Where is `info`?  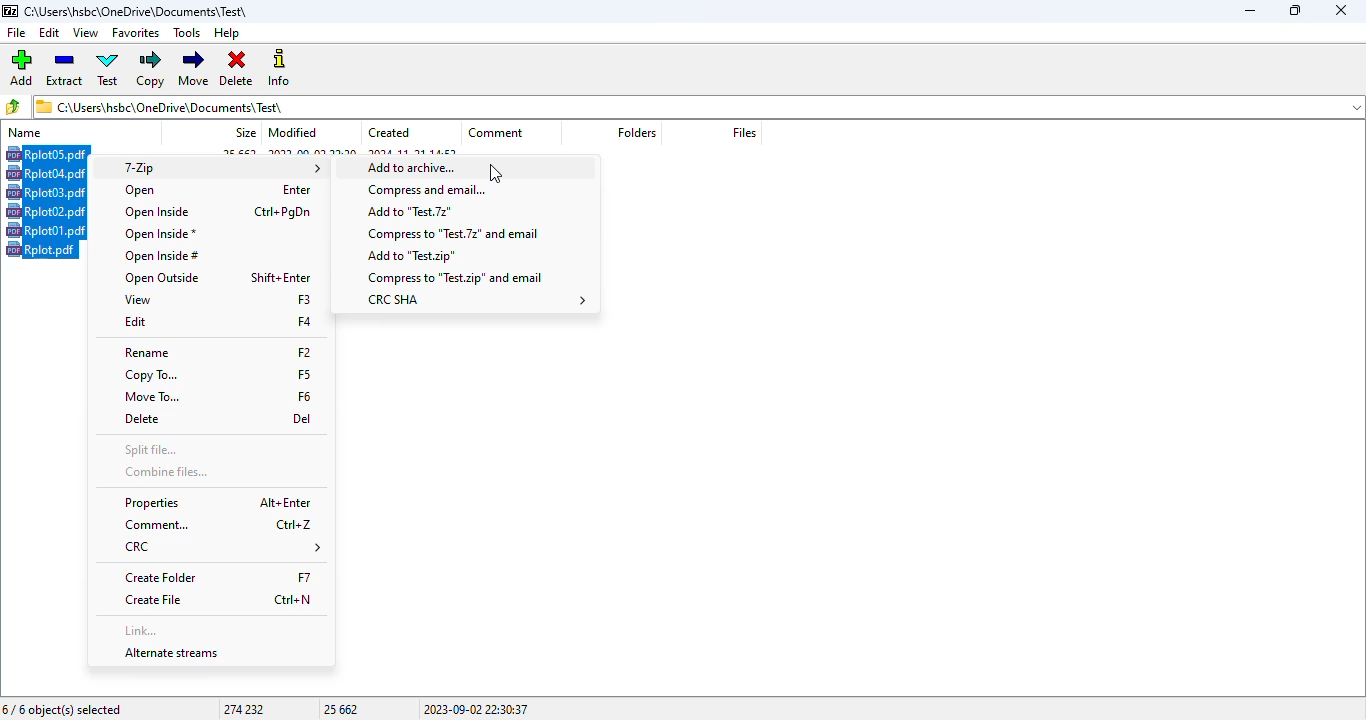 info is located at coordinates (281, 68).